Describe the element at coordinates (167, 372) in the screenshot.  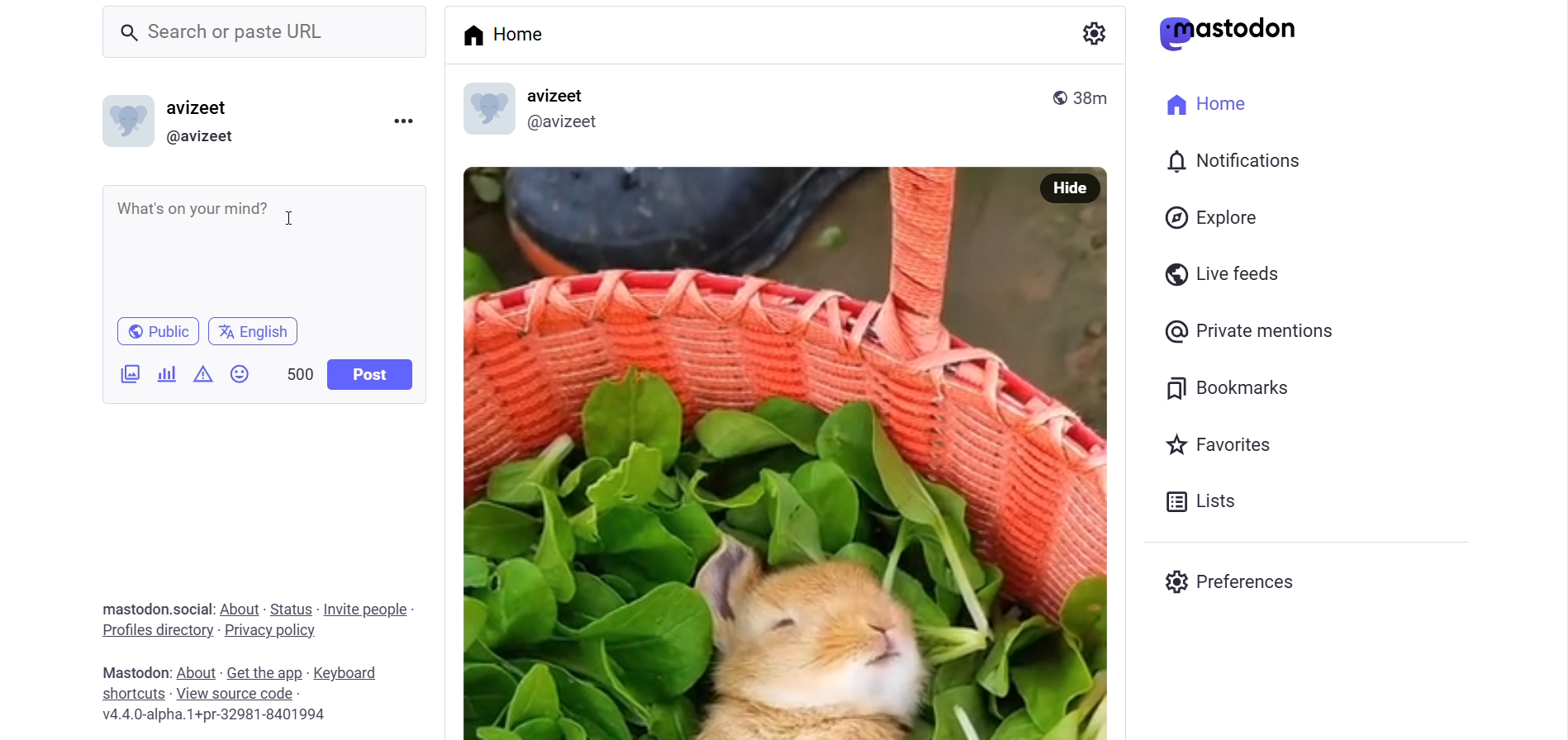
I see `Add Poll` at that location.